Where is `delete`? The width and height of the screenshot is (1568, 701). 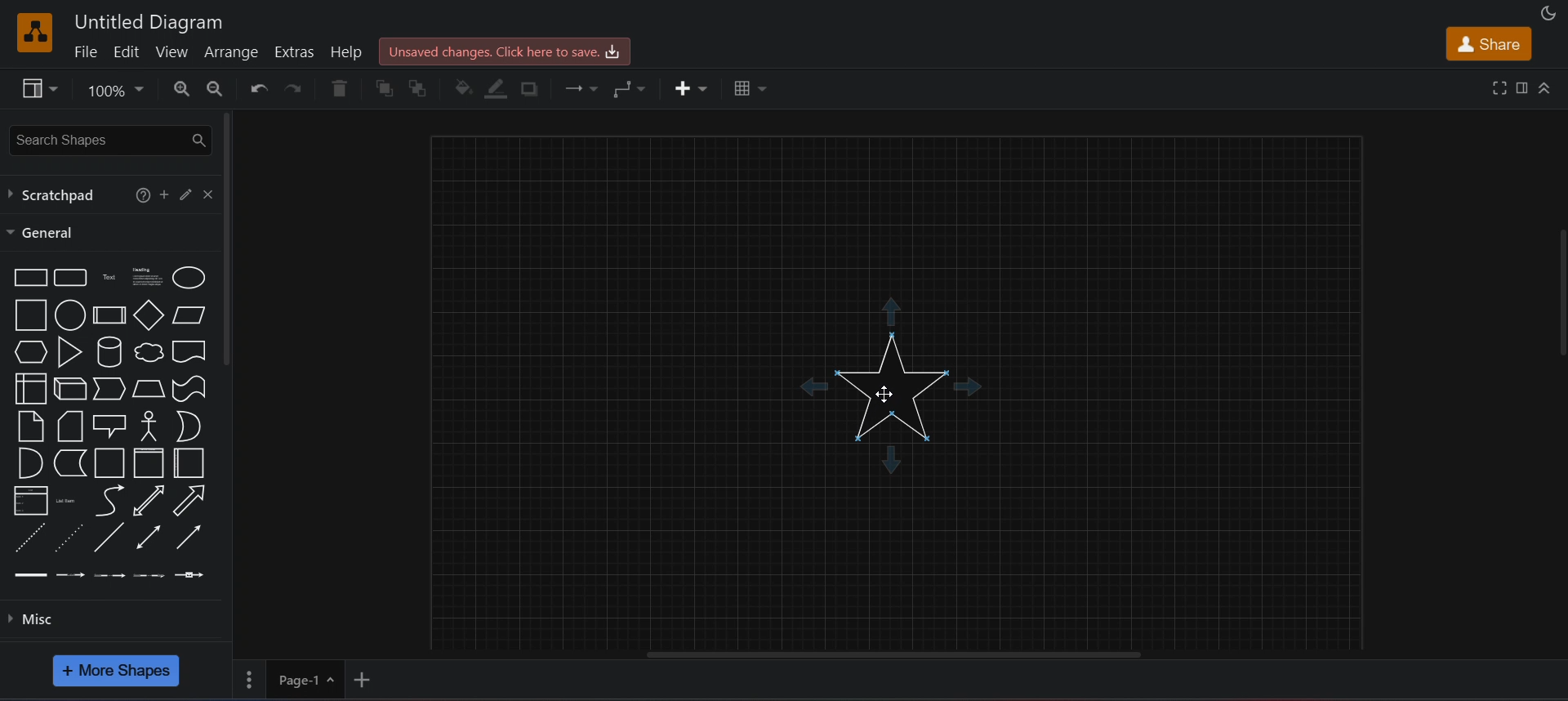
delete is located at coordinates (340, 90).